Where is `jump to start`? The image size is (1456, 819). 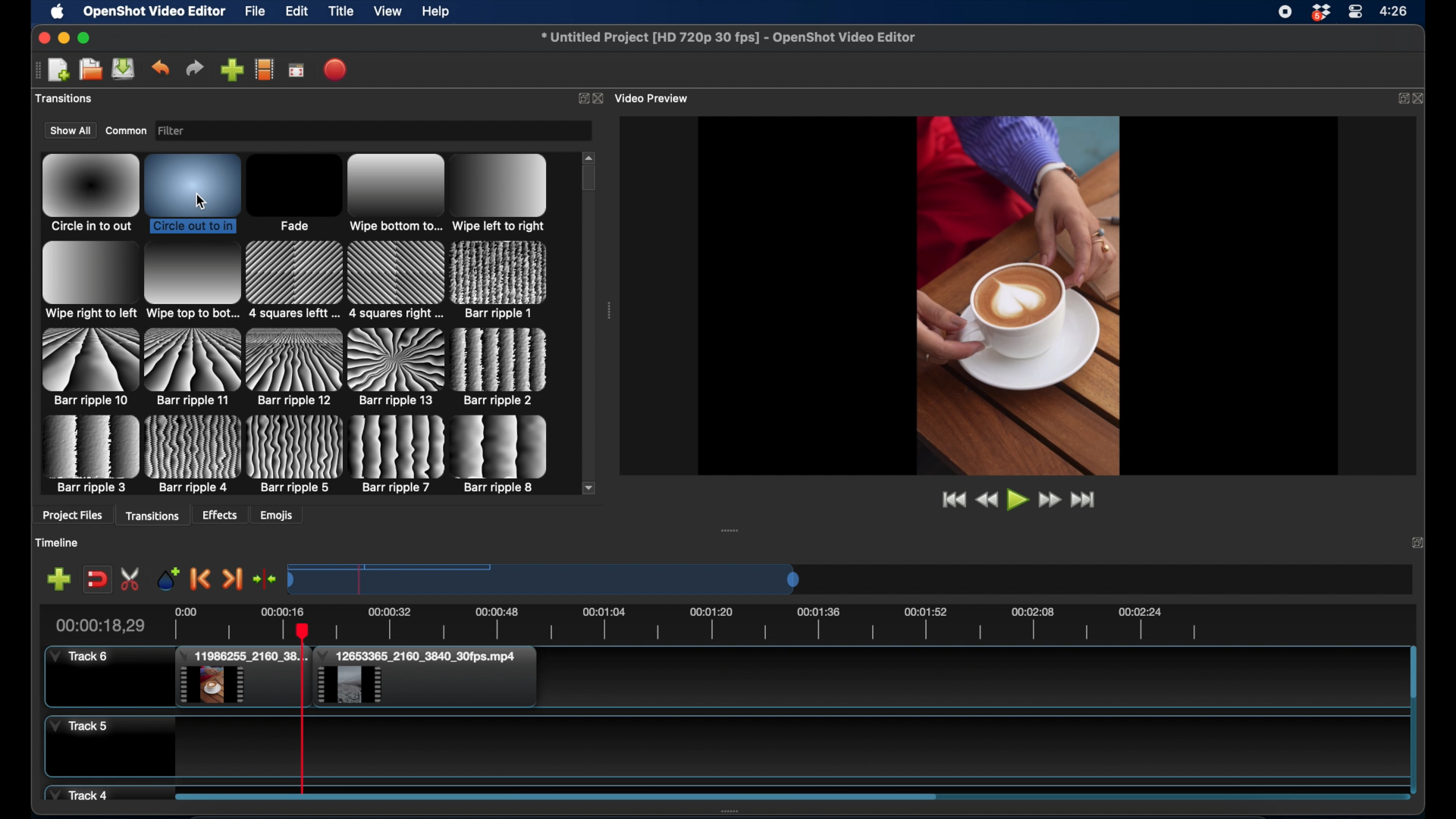 jump to start is located at coordinates (951, 499).